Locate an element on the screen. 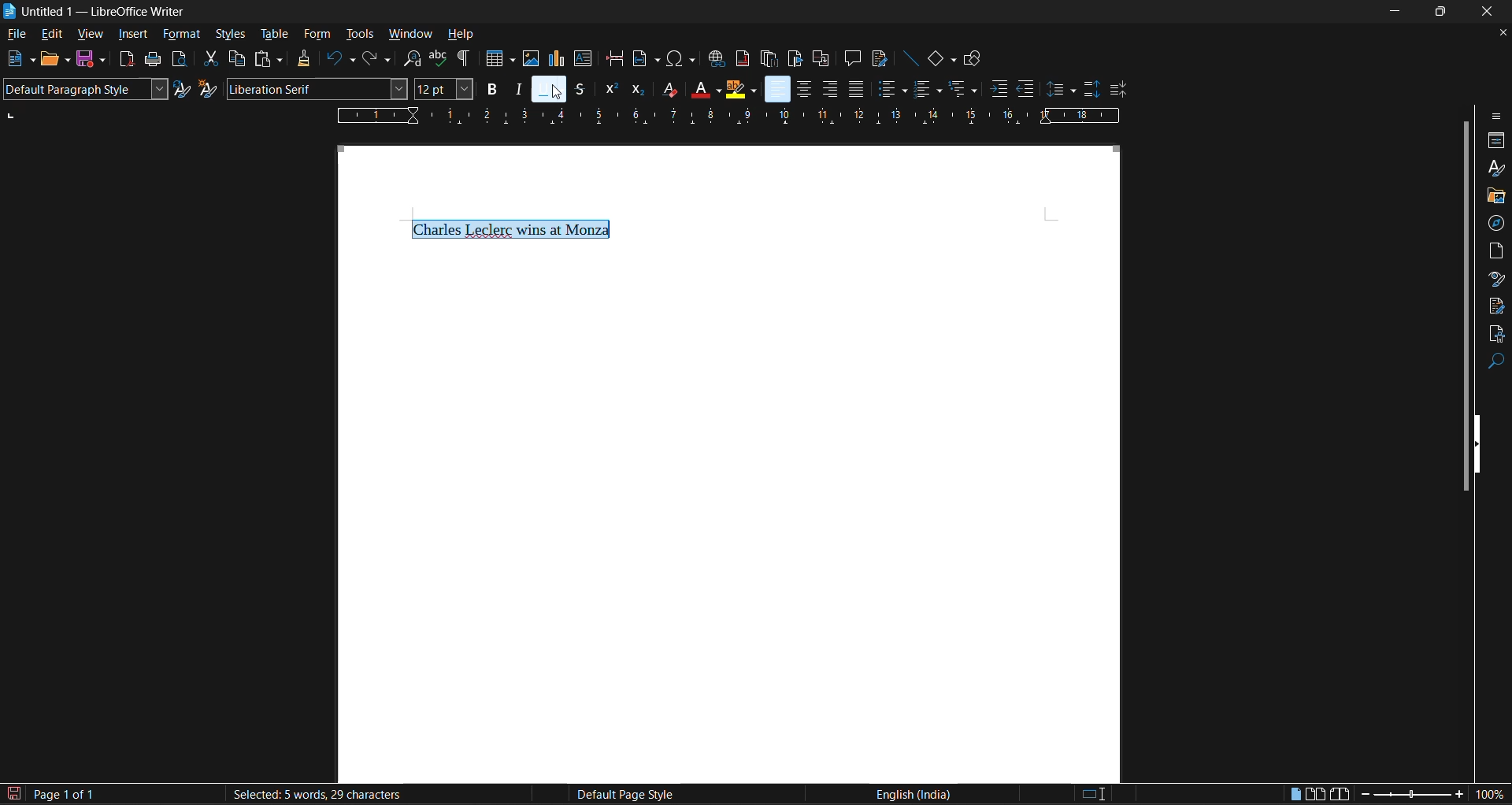  insert footnote is located at coordinates (740, 58).